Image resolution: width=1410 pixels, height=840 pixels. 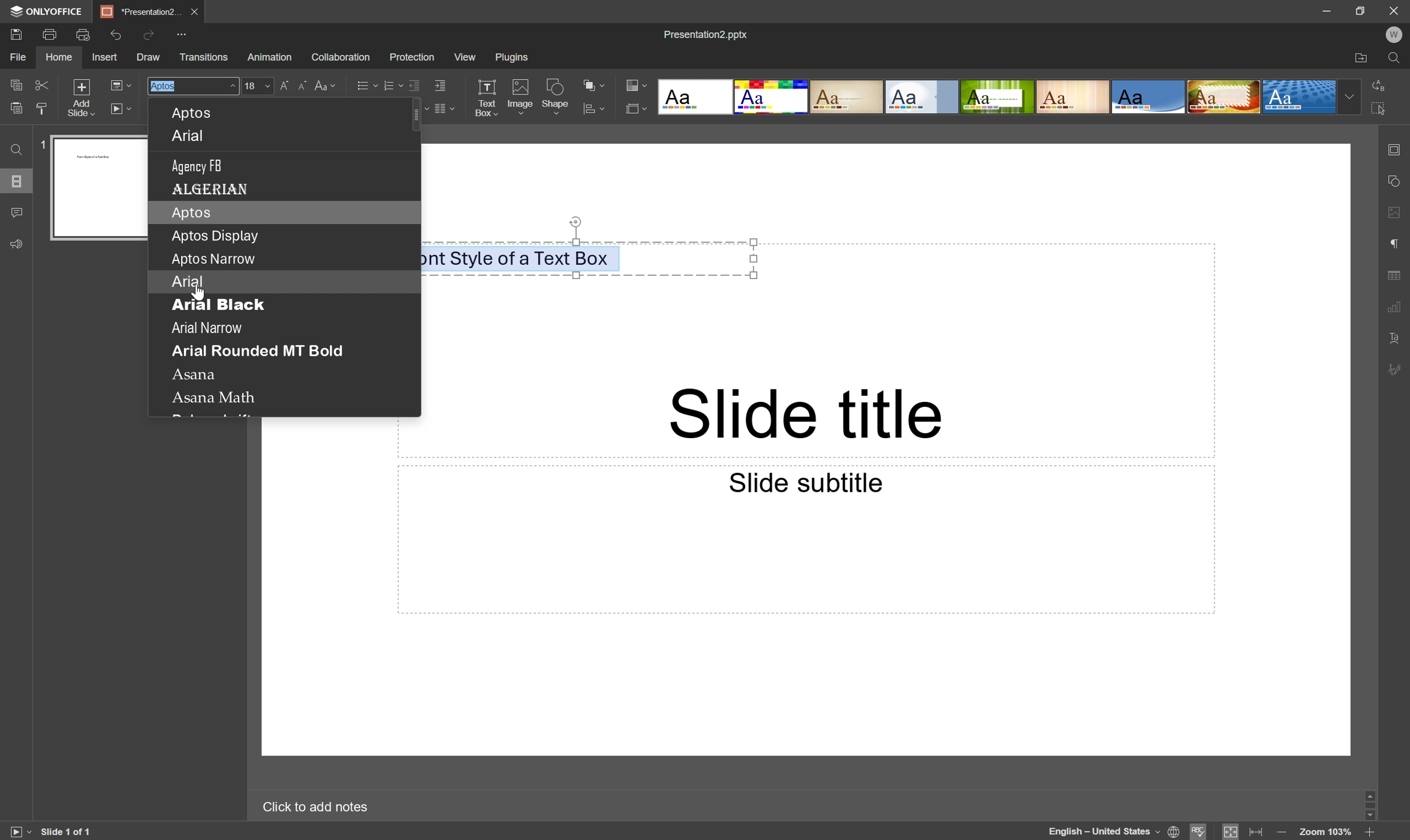 I want to click on Paste Style, so click(x=43, y=108).